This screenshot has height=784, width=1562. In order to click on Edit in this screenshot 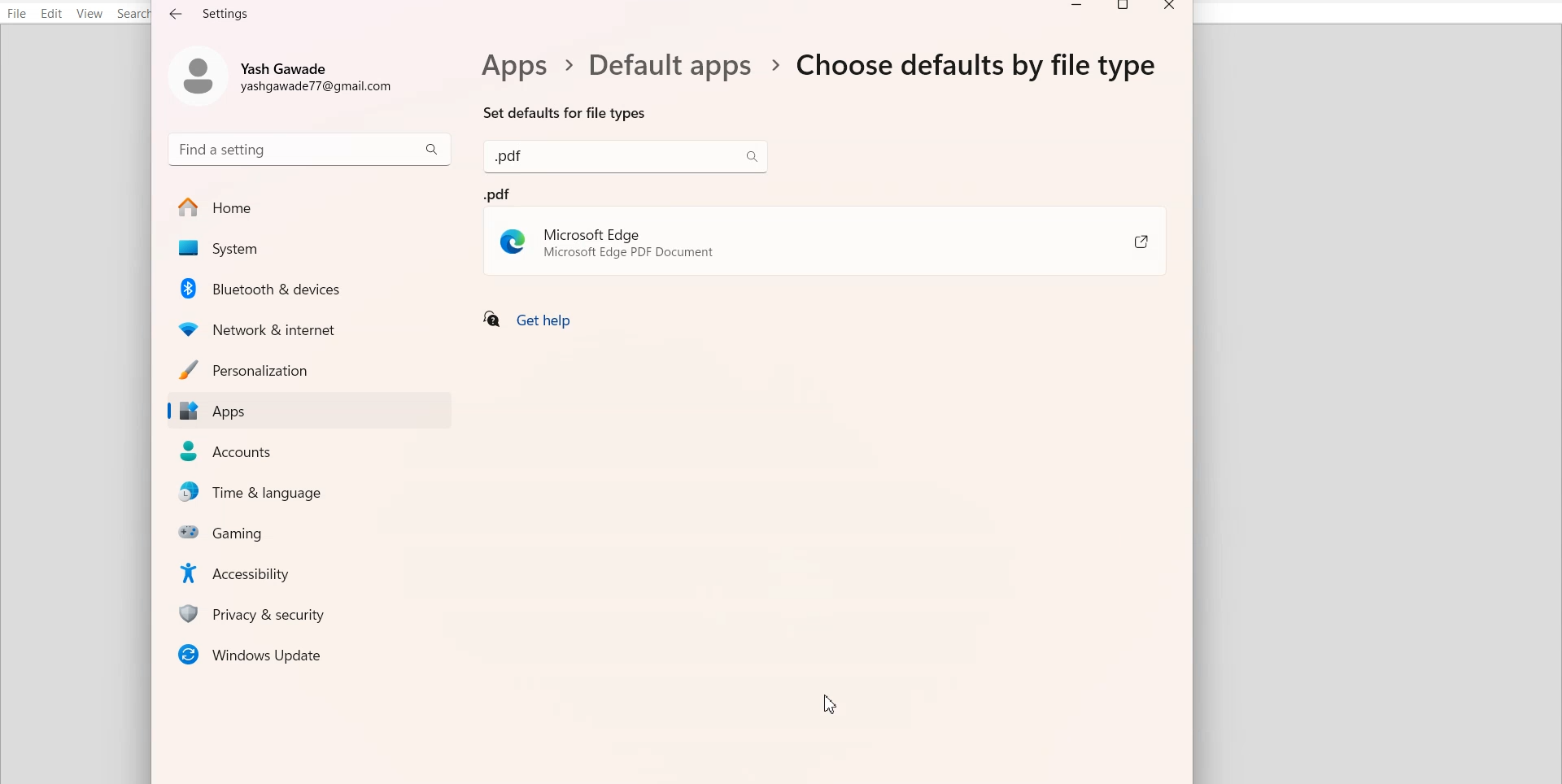, I will do `click(52, 13)`.